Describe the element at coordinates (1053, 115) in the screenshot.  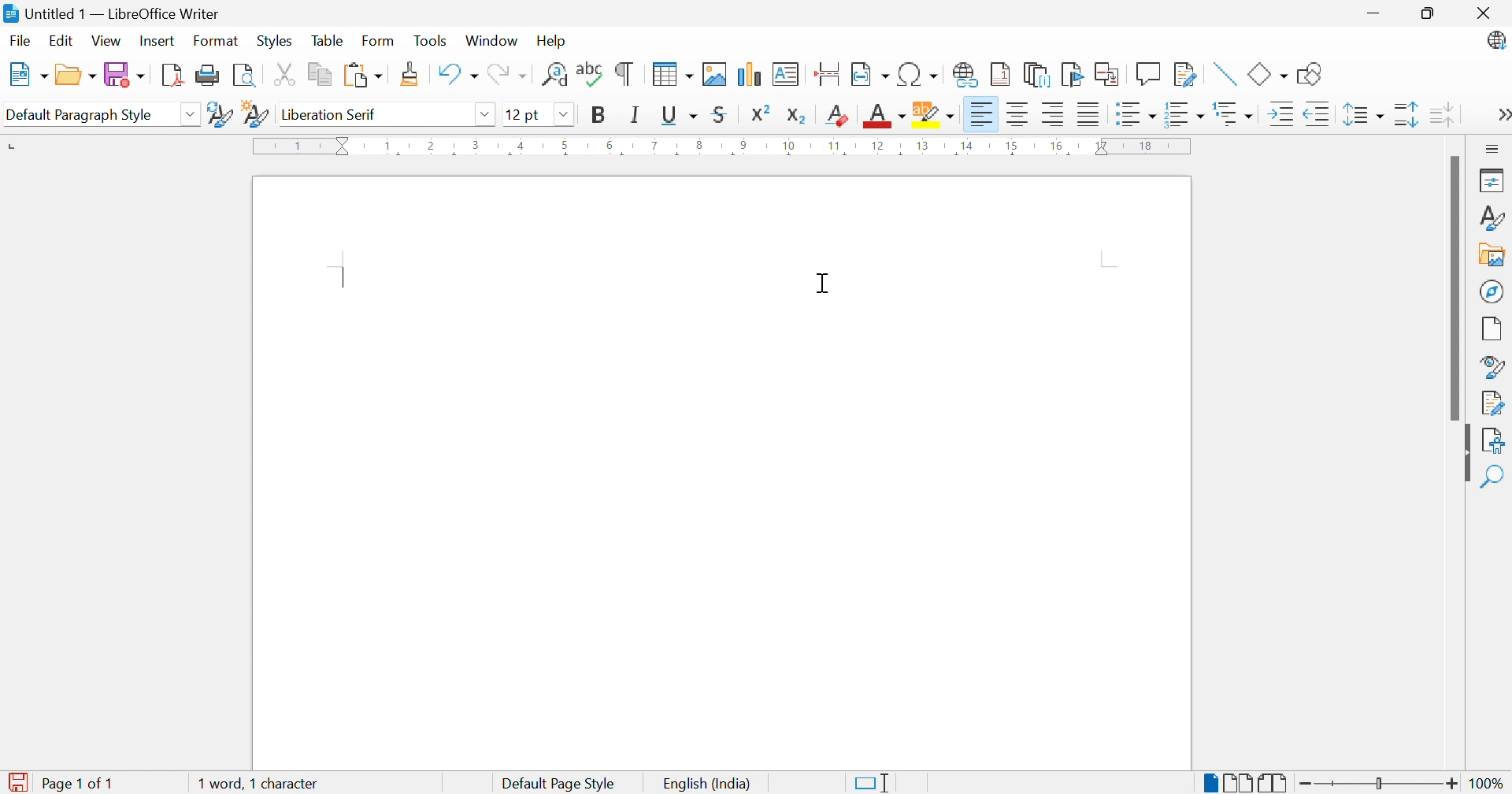
I see `Align Right` at that location.